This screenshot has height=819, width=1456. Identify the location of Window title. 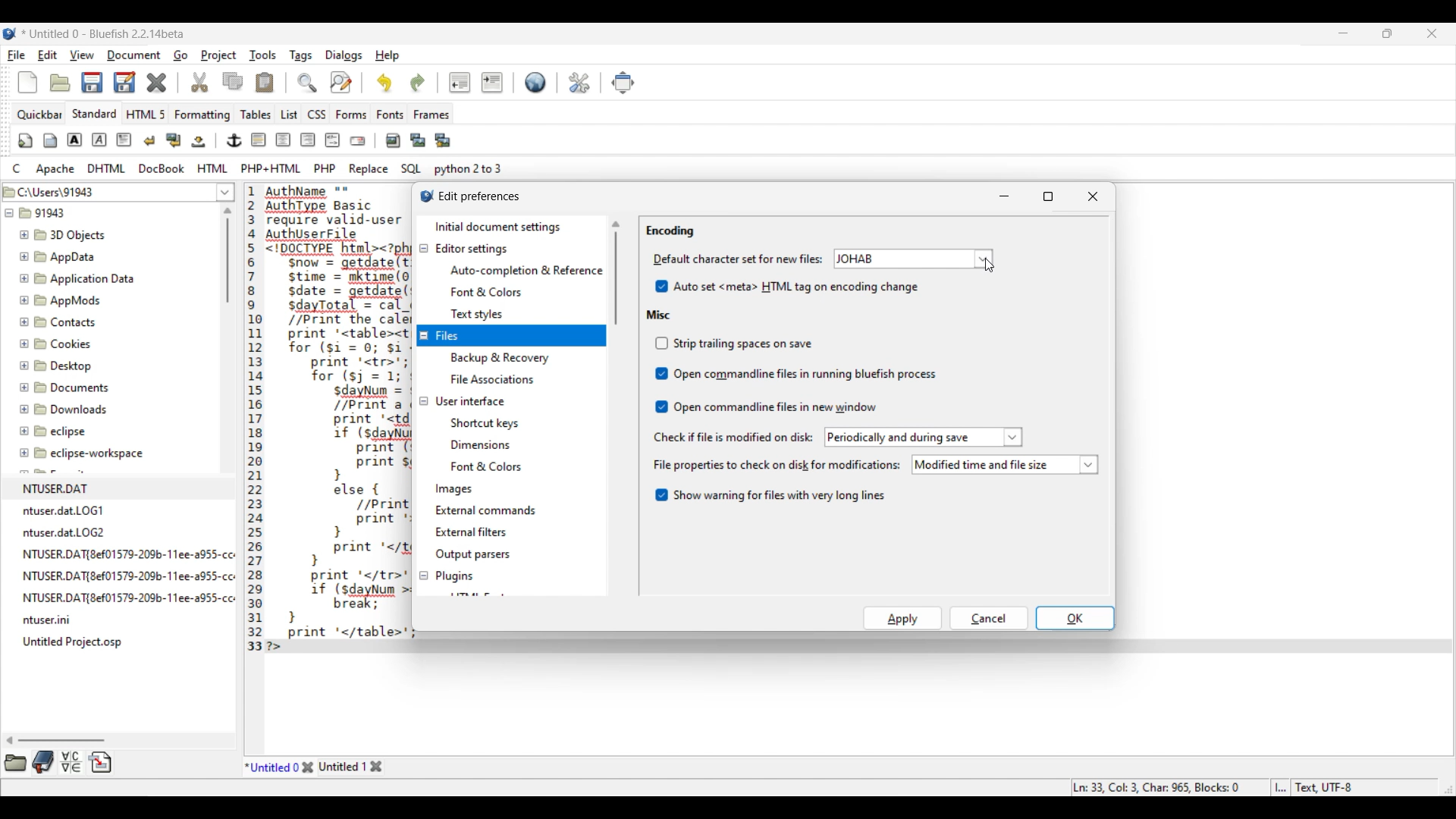
(480, 197).